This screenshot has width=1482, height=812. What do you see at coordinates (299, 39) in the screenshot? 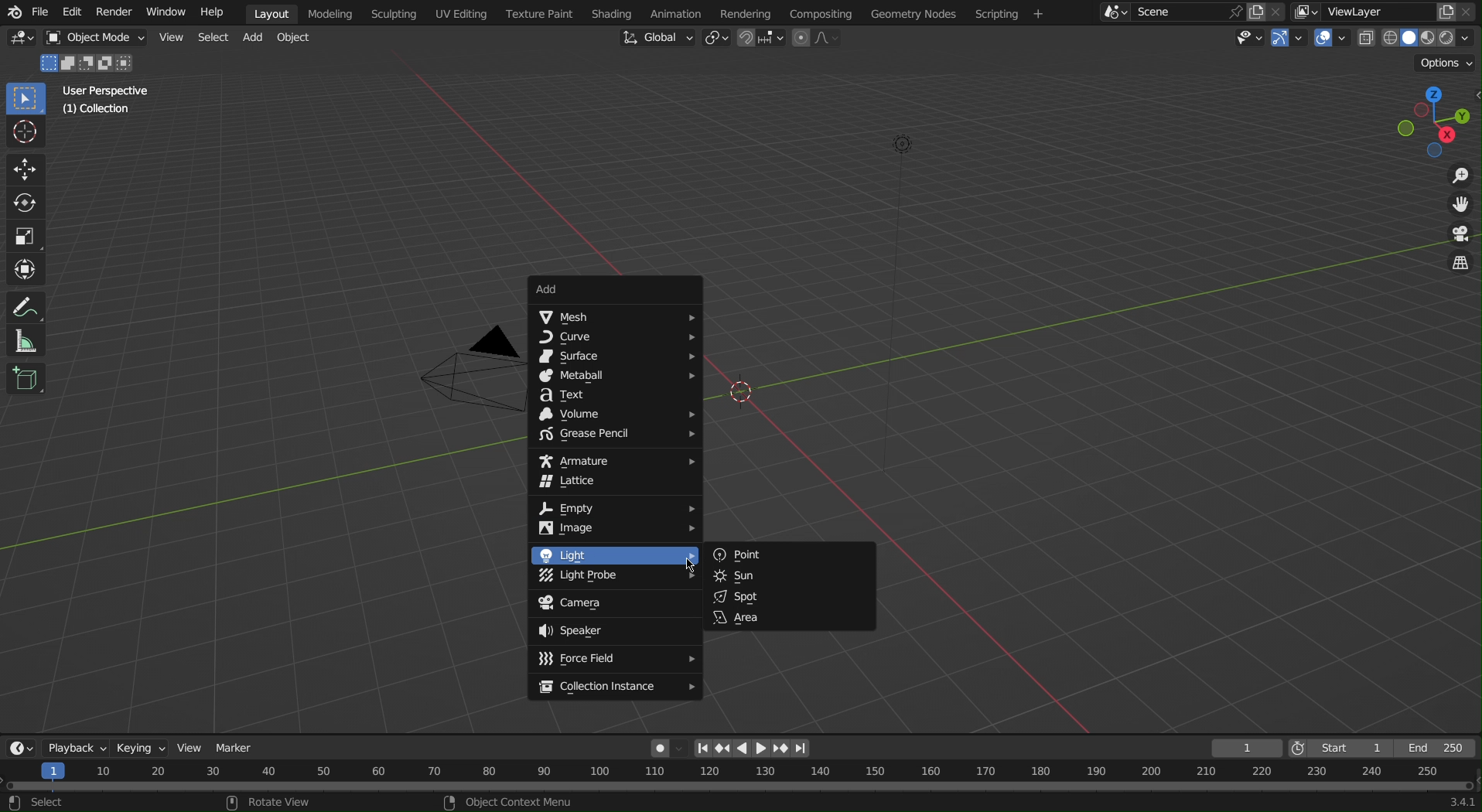
I see `Object` at bounding box center [299, 39].